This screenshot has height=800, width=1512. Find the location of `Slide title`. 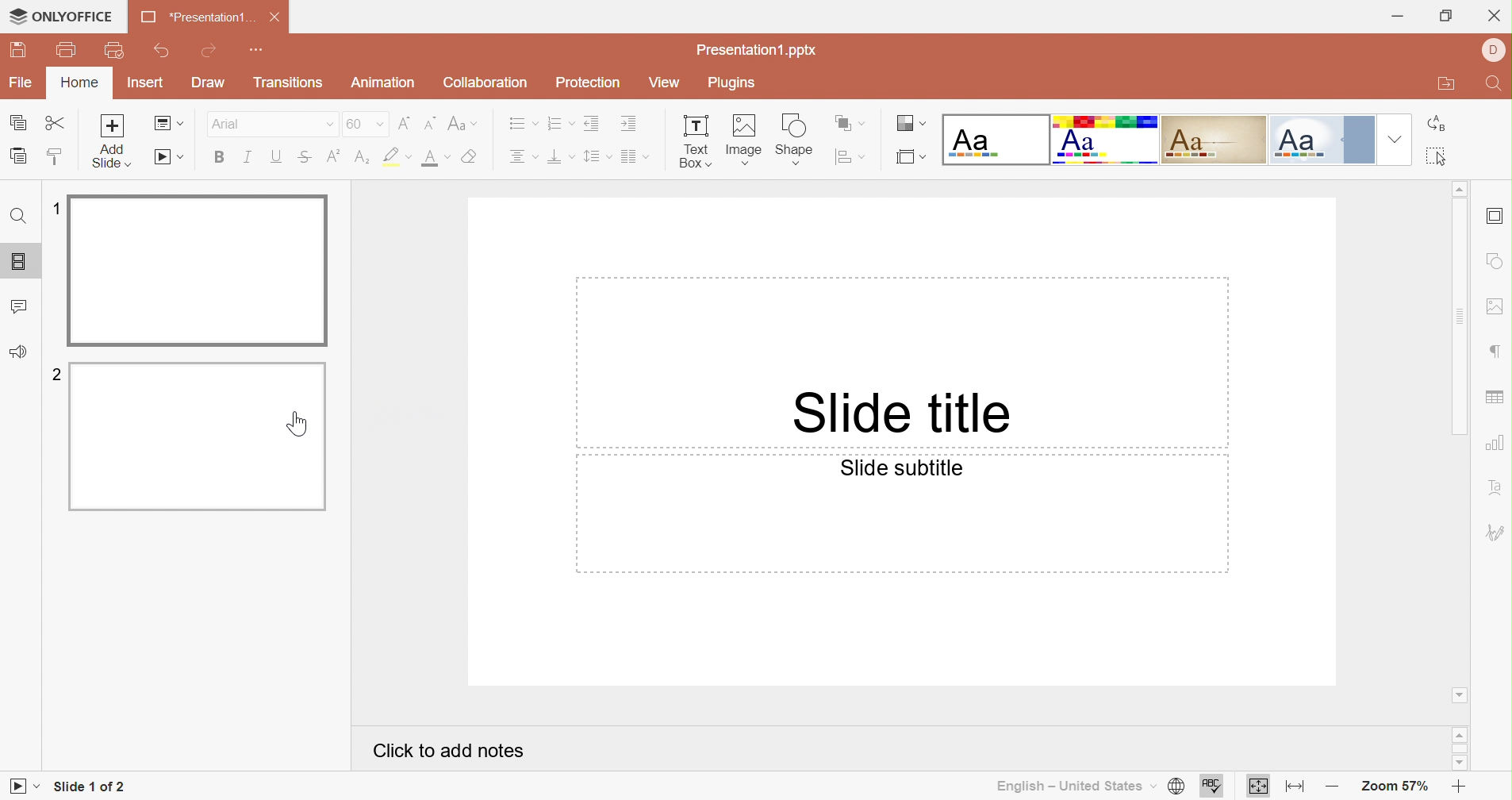

Slide title is located at coordinates (904, 415).